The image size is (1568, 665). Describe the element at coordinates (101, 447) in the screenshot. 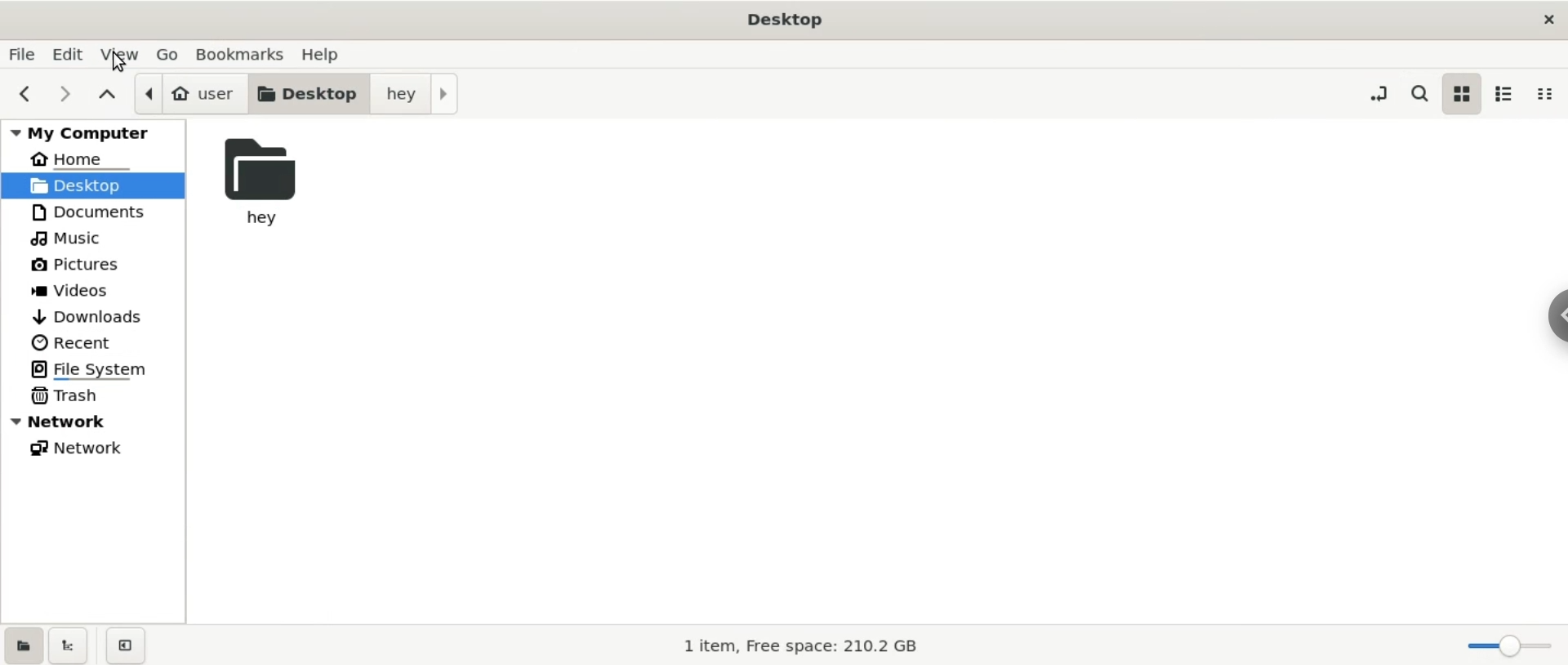

I see `network` at that location.